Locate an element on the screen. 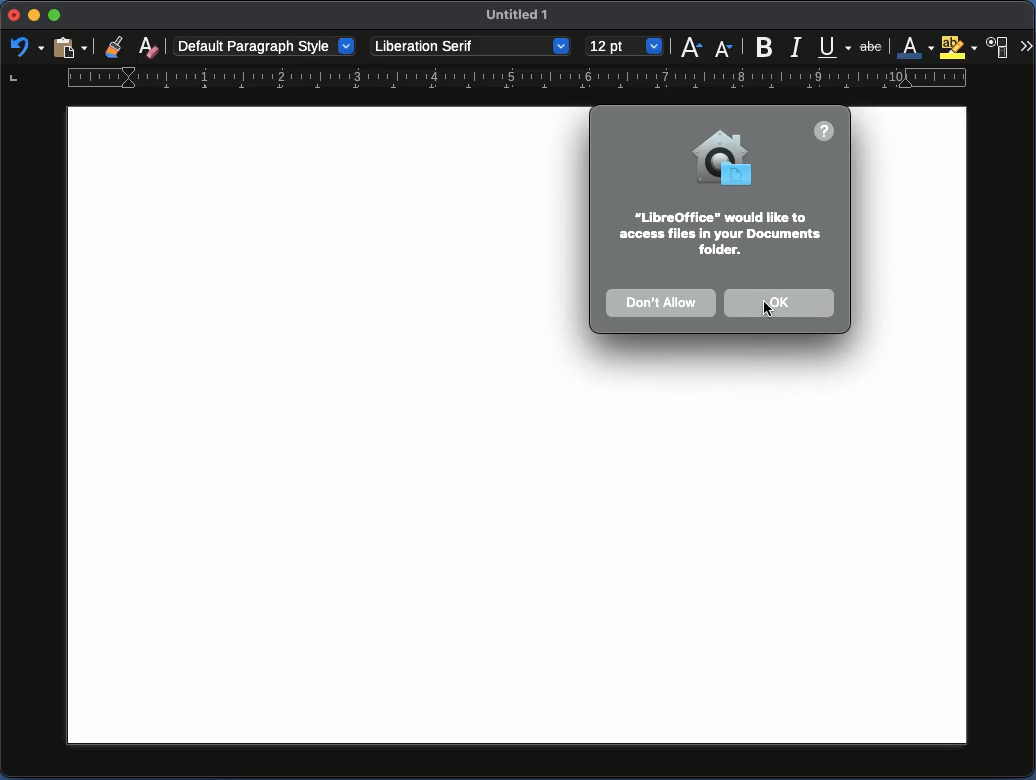 This screenshot has height=780, width=1036. Close is located at coordinates (12, 19).